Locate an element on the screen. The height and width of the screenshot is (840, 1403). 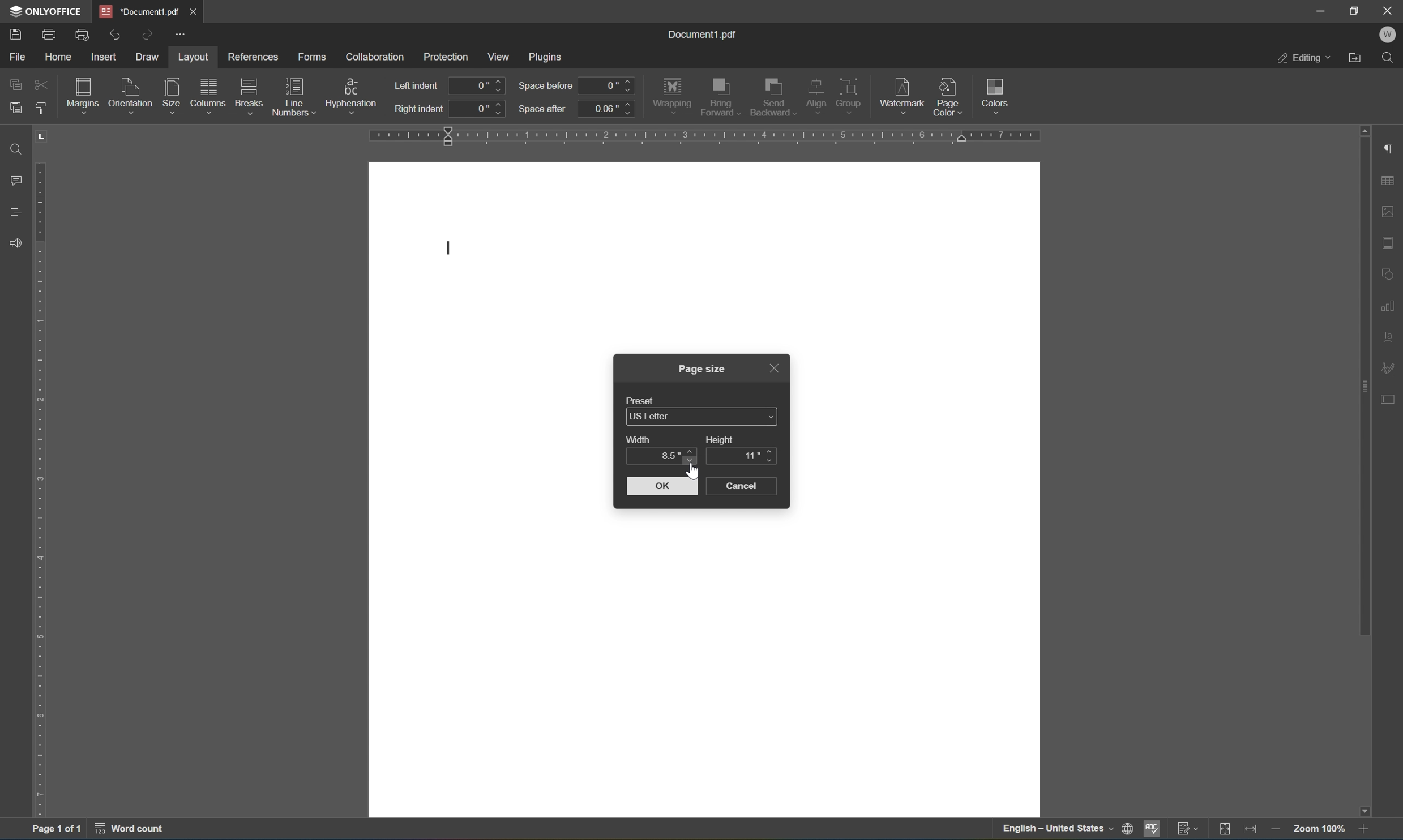
breaks is located at coordinates (249, 91).